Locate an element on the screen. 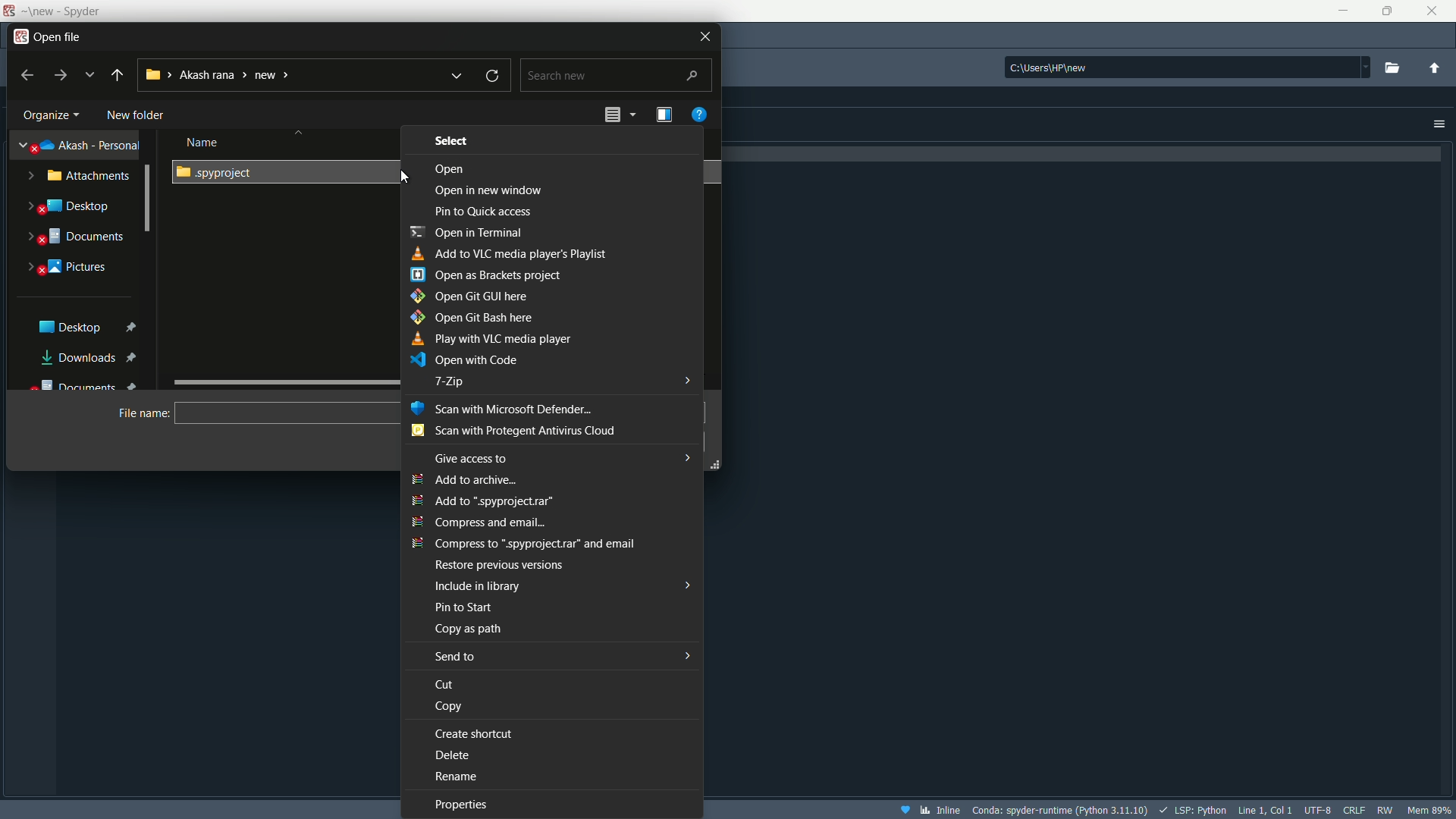  app icon is located at coordinates (20, 36).